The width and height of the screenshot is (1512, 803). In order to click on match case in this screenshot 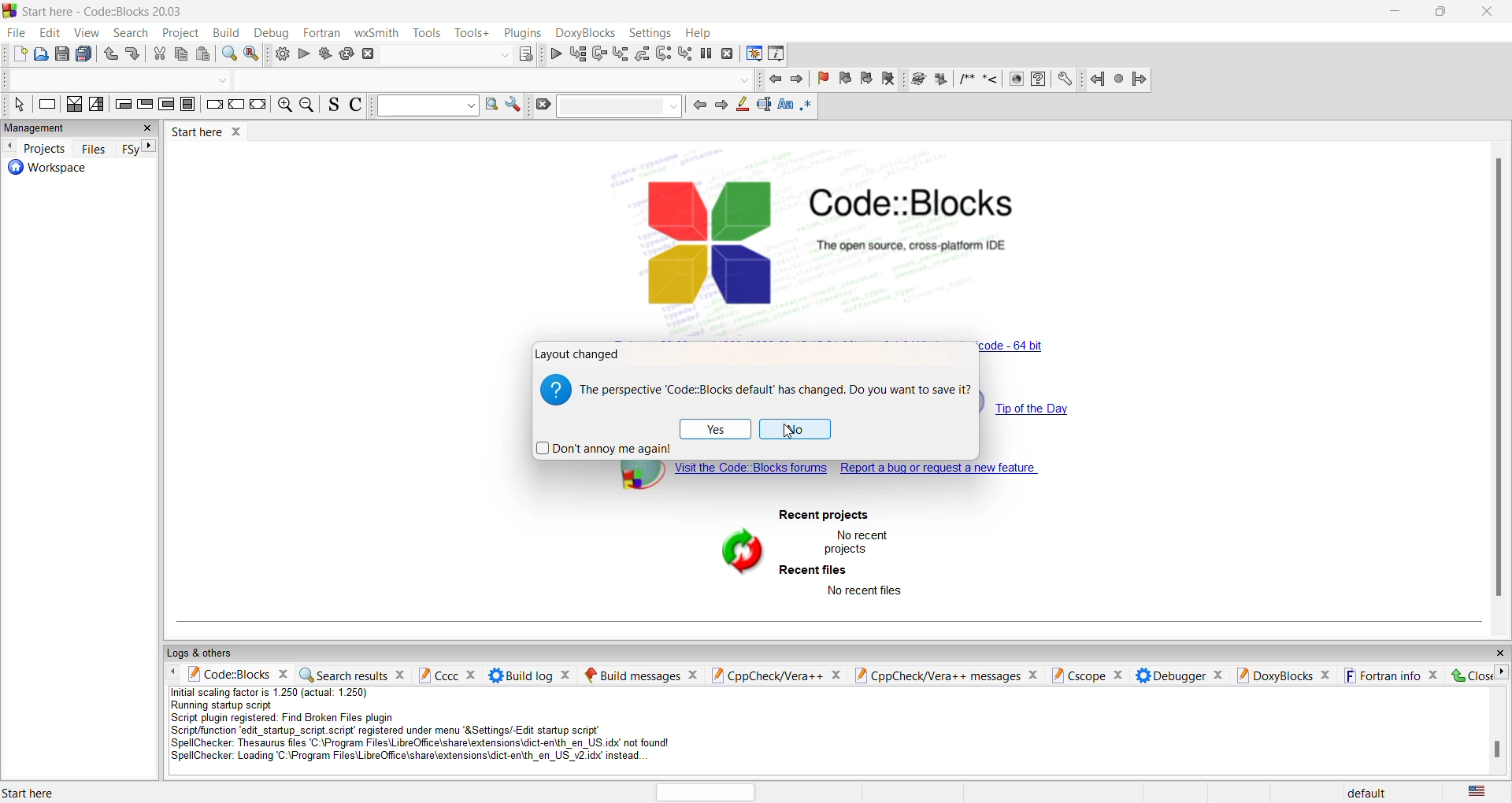, I will do `click(787, 105)`.